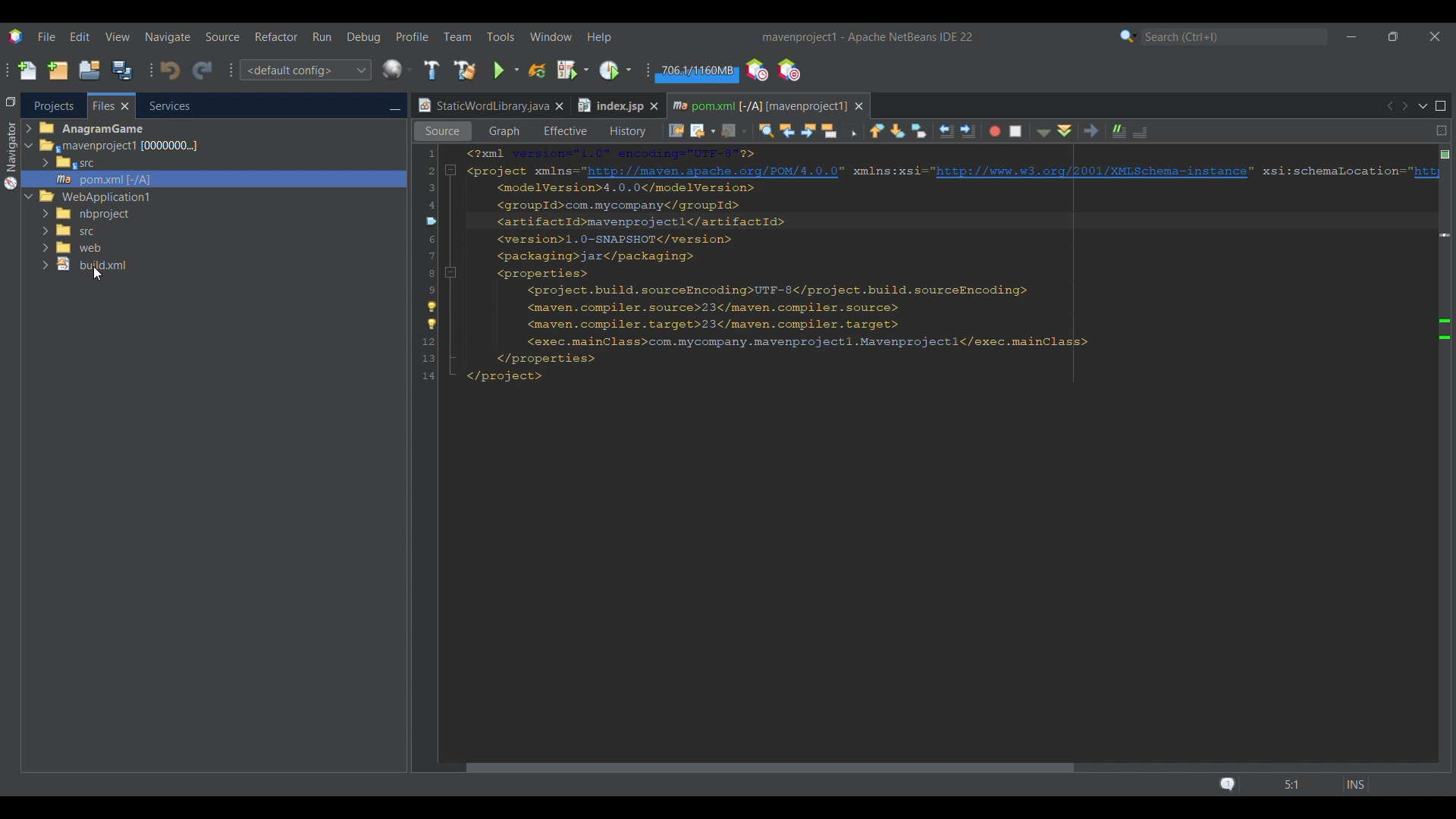 This screenshot has height=819, width=1456. I want to click on Last edit, so click(676, 130).